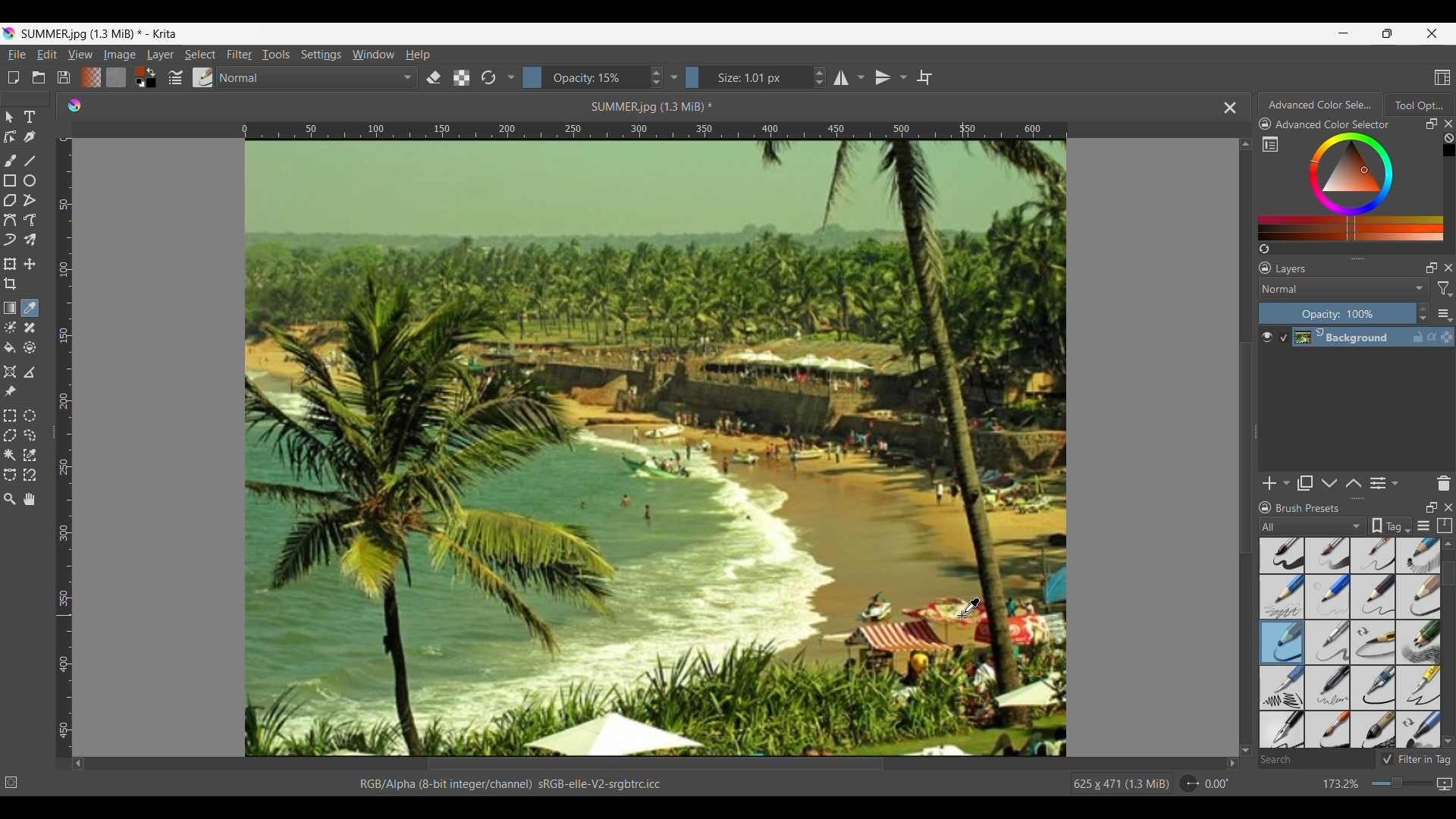  What do you see at coordinates (1217, 784) in the screenshot?
I see `0.00` at bounding box center [1217, 784].